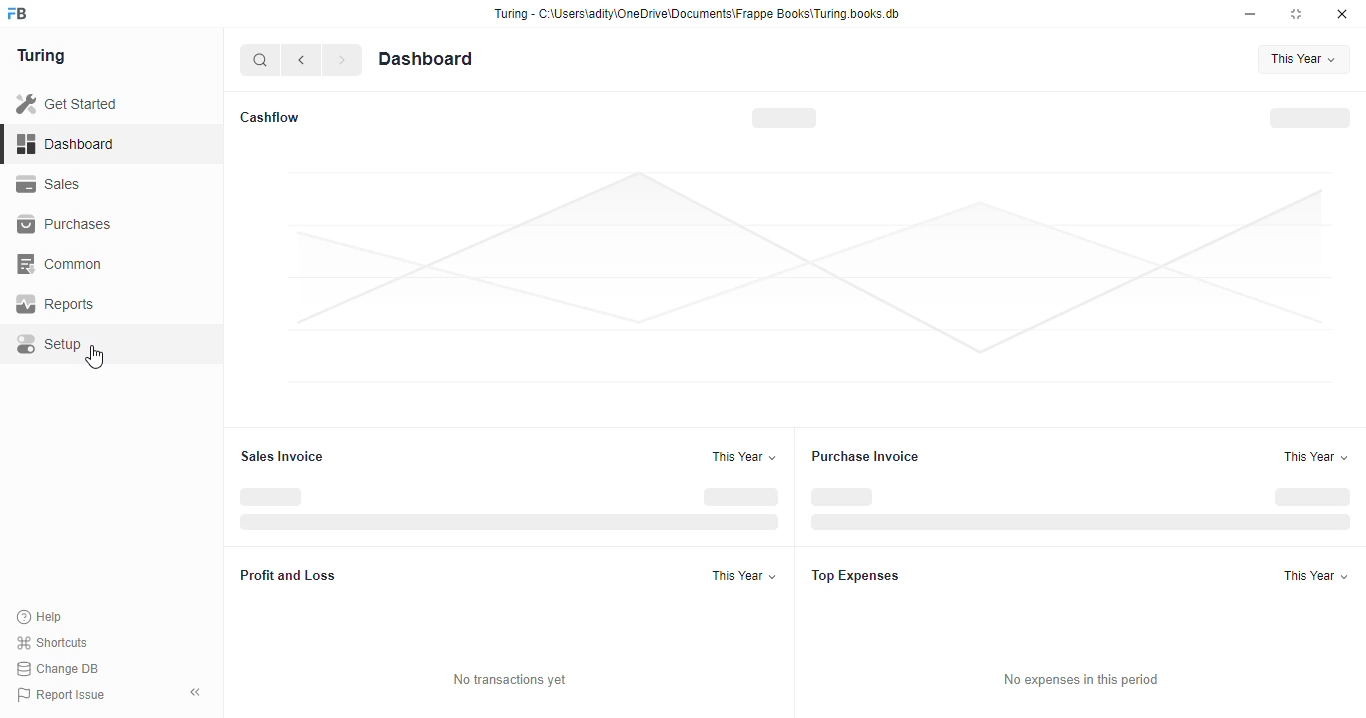 This screenshot has height=718, width=1366. Describe the element at coordinates (45, 54) in the screenshot. I see `Turing` at that location.